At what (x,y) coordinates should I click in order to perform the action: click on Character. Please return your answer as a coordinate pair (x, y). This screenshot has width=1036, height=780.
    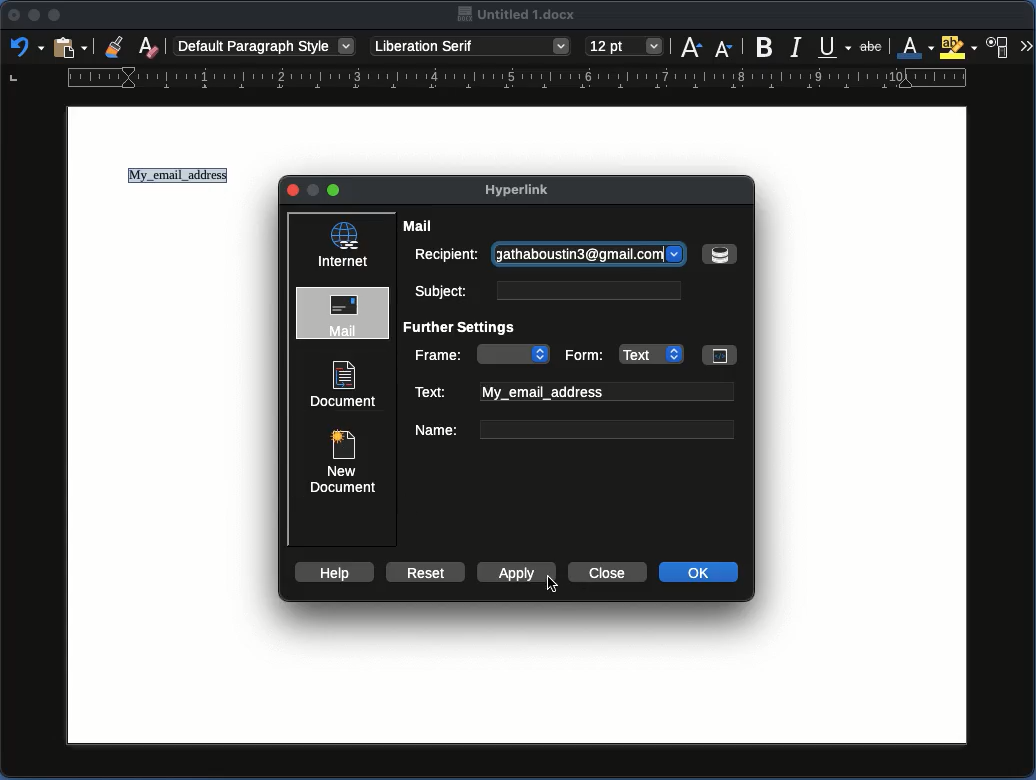
    Looking at the image, I should click on (1000, 45).